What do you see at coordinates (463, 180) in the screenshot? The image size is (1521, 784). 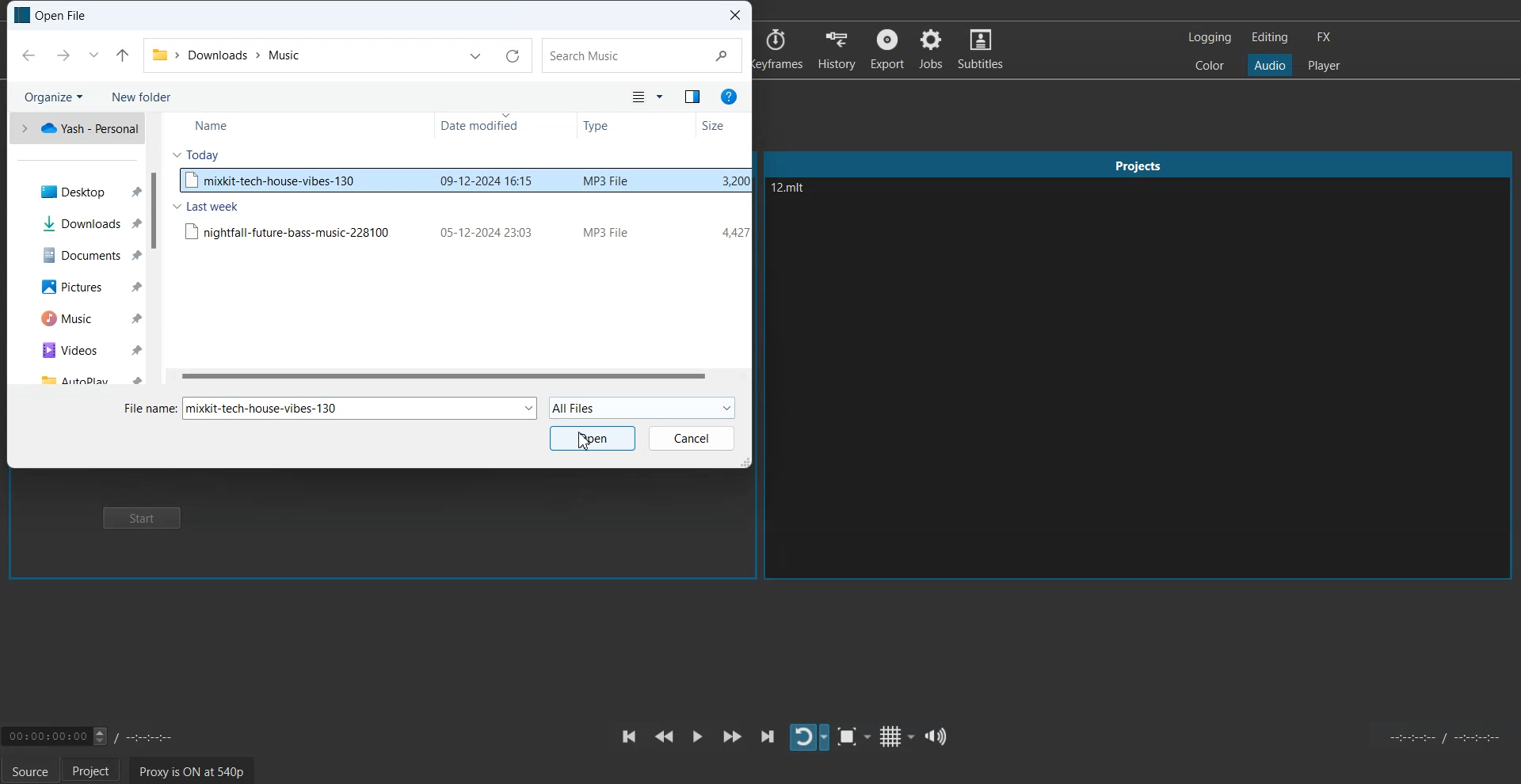 I see `File` at bounding box center [463, 180].